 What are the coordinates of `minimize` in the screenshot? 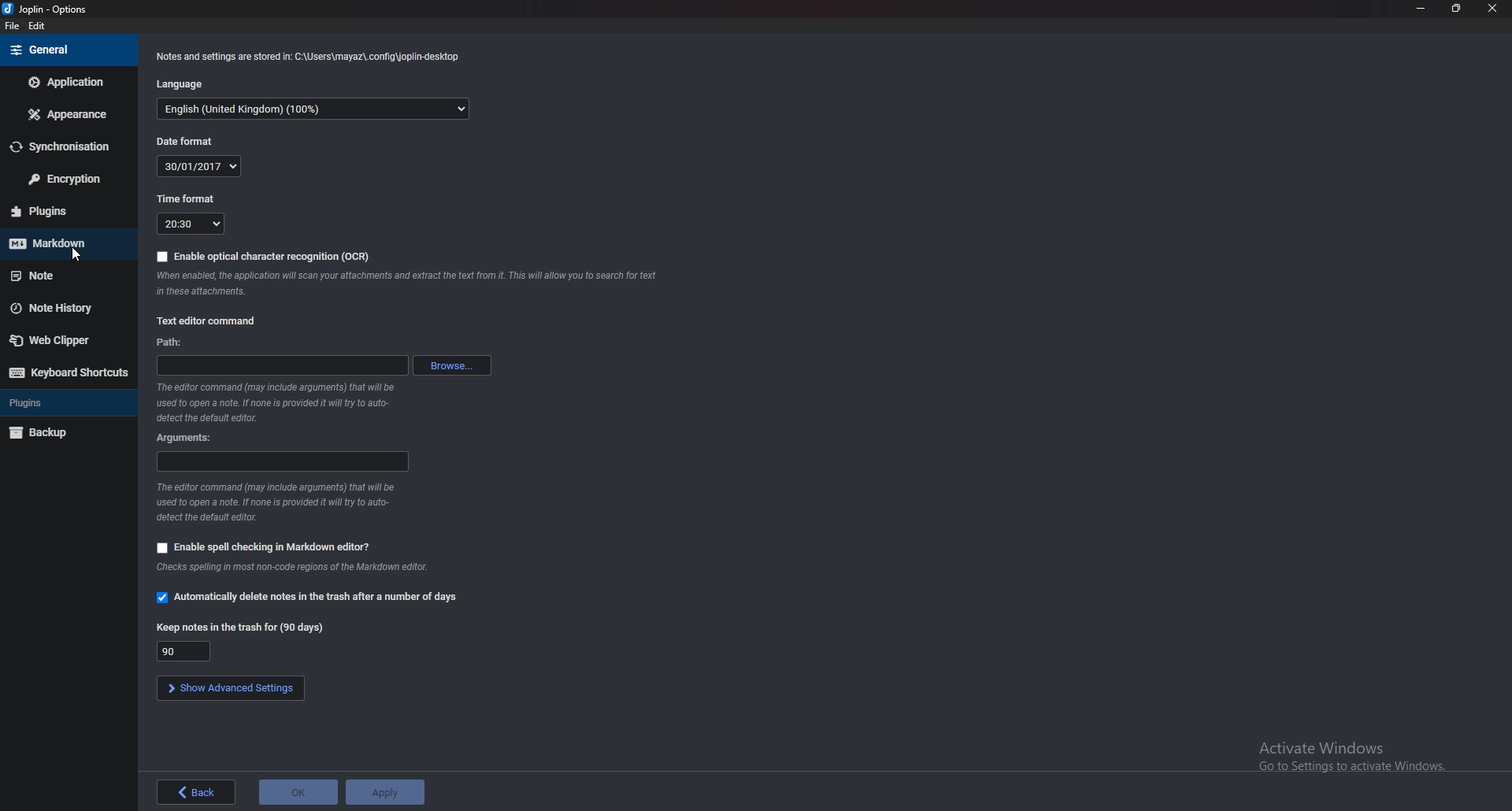 It's located at (1421, 8).